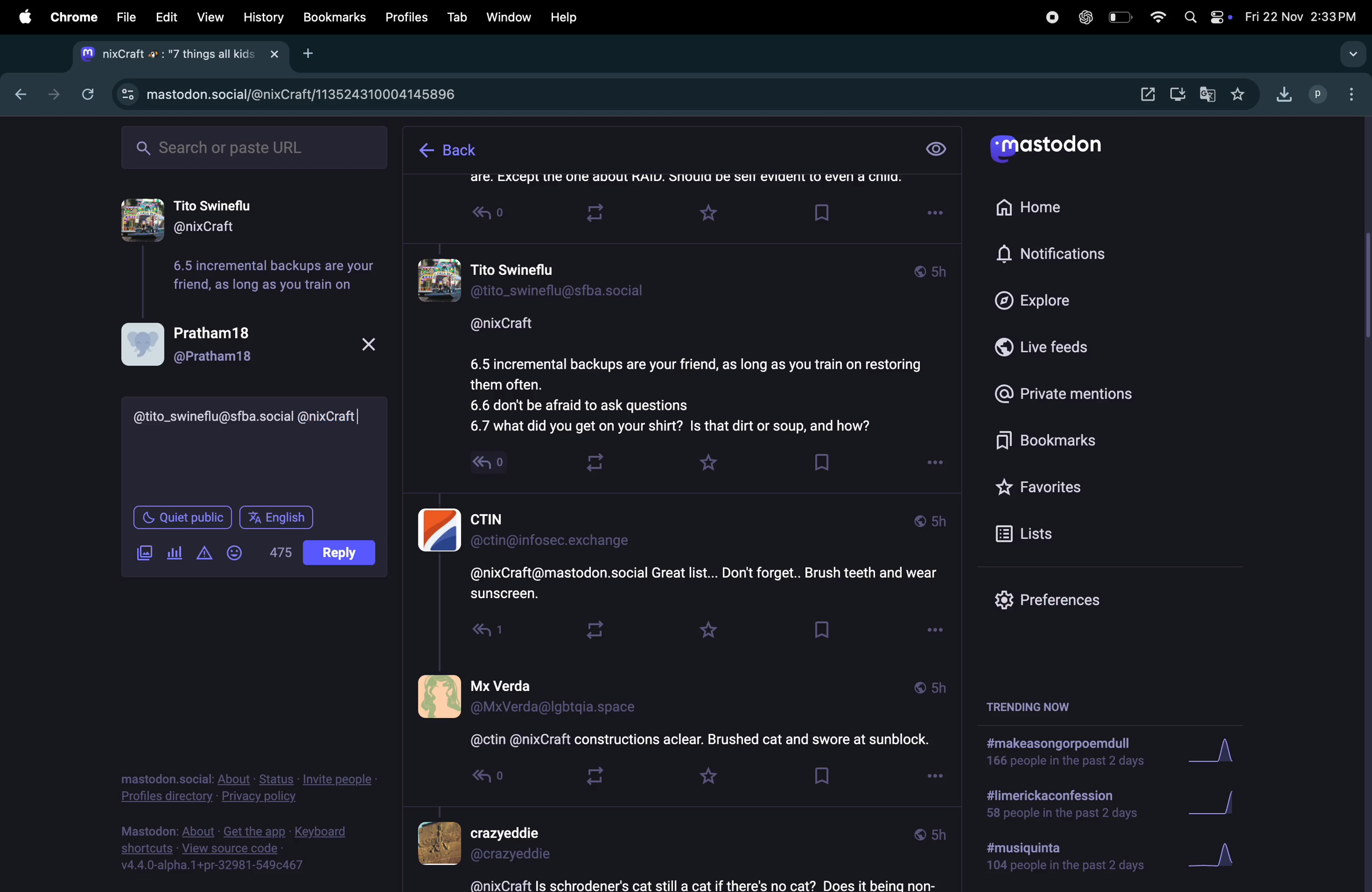 The height and width of the screenshot is (892, 1372). What do you see at coordinates (1056, 255) in the screenshot?
I see `notifications` at bounding box center [1056, 255].